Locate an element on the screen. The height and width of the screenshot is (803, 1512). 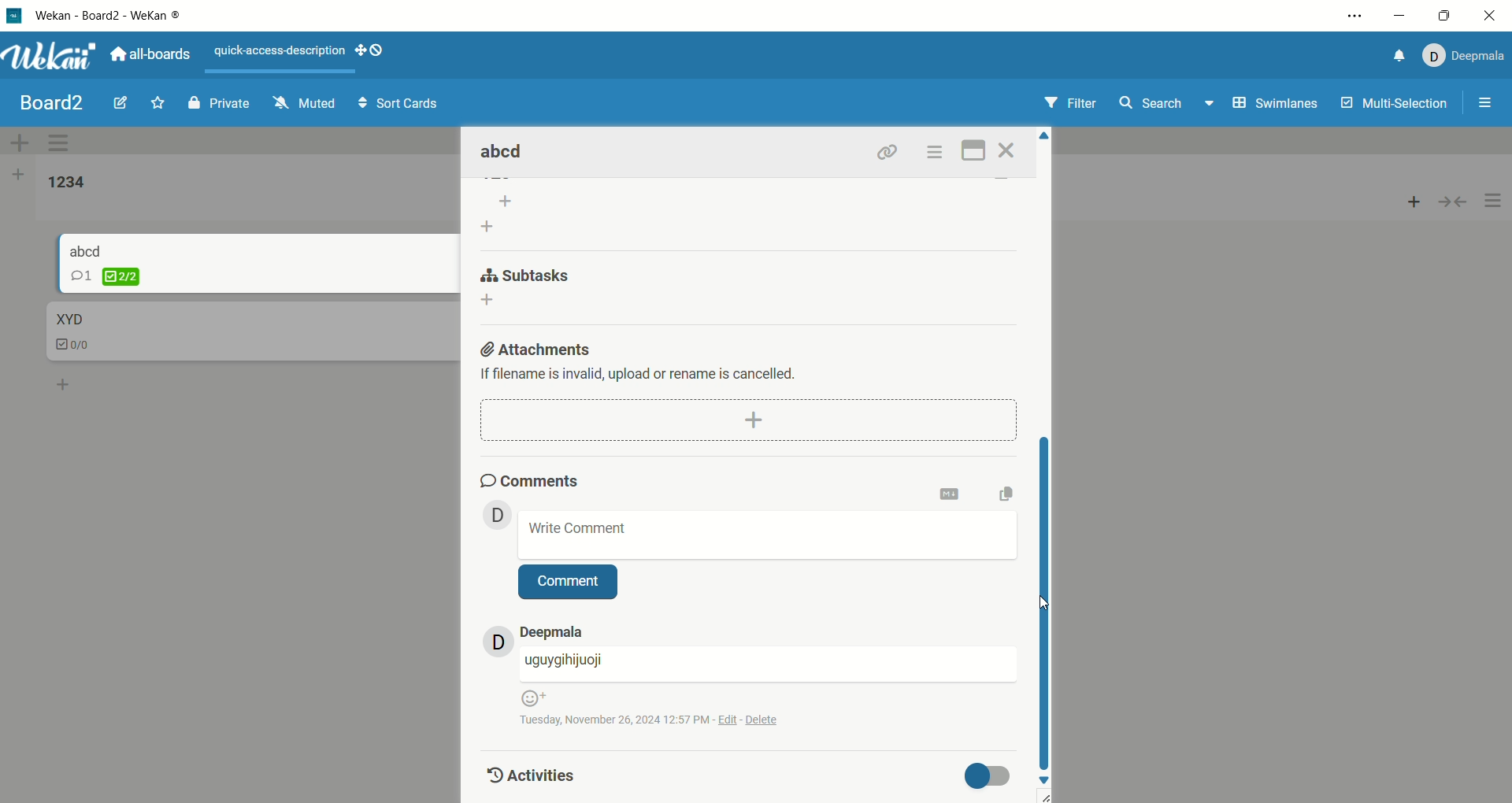
vertical scroll bar is located at coordinates (1046, 600).